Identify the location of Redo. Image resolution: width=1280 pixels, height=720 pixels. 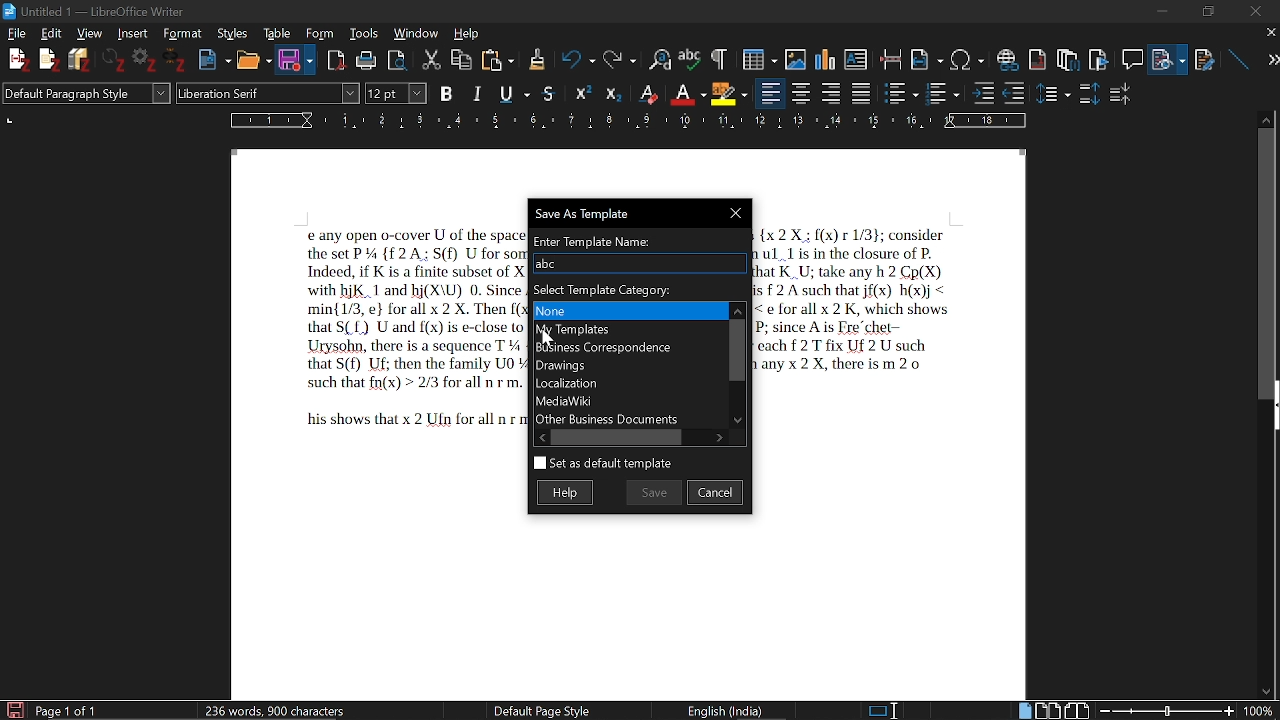
(617, 58).